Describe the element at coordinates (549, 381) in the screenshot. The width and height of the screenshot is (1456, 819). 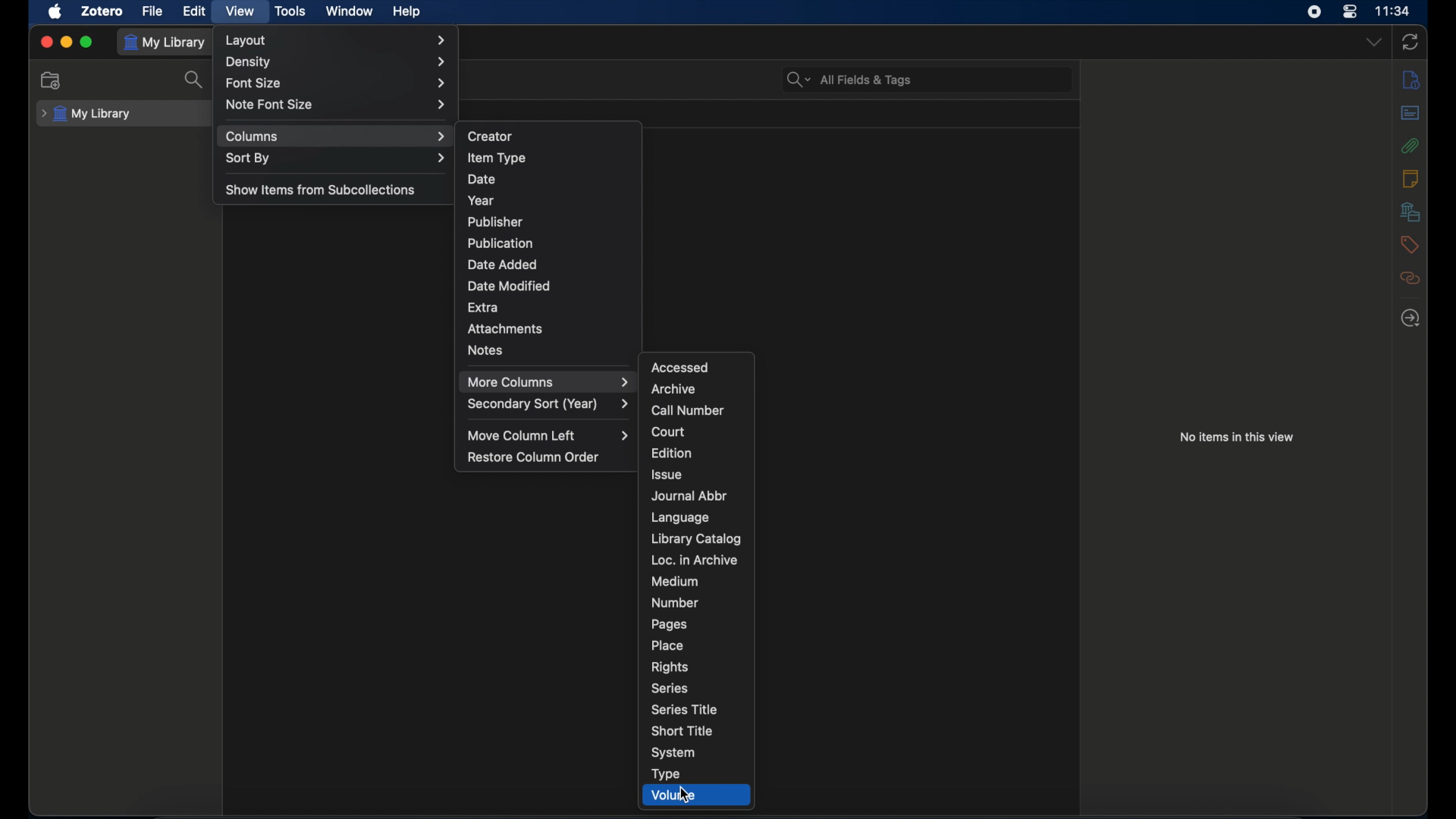
I see `more columns` at that location.